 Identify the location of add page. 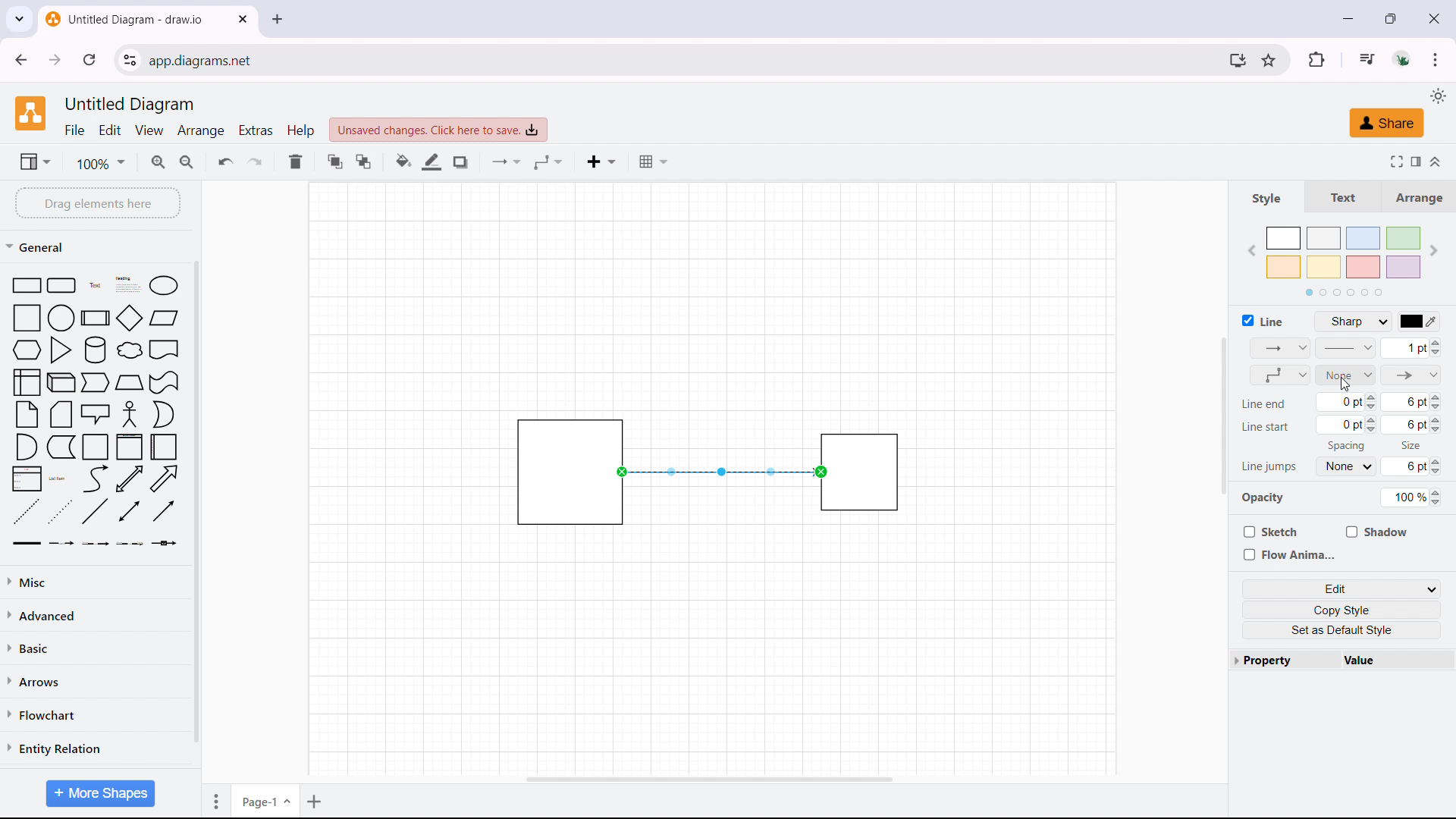
(316, 800).